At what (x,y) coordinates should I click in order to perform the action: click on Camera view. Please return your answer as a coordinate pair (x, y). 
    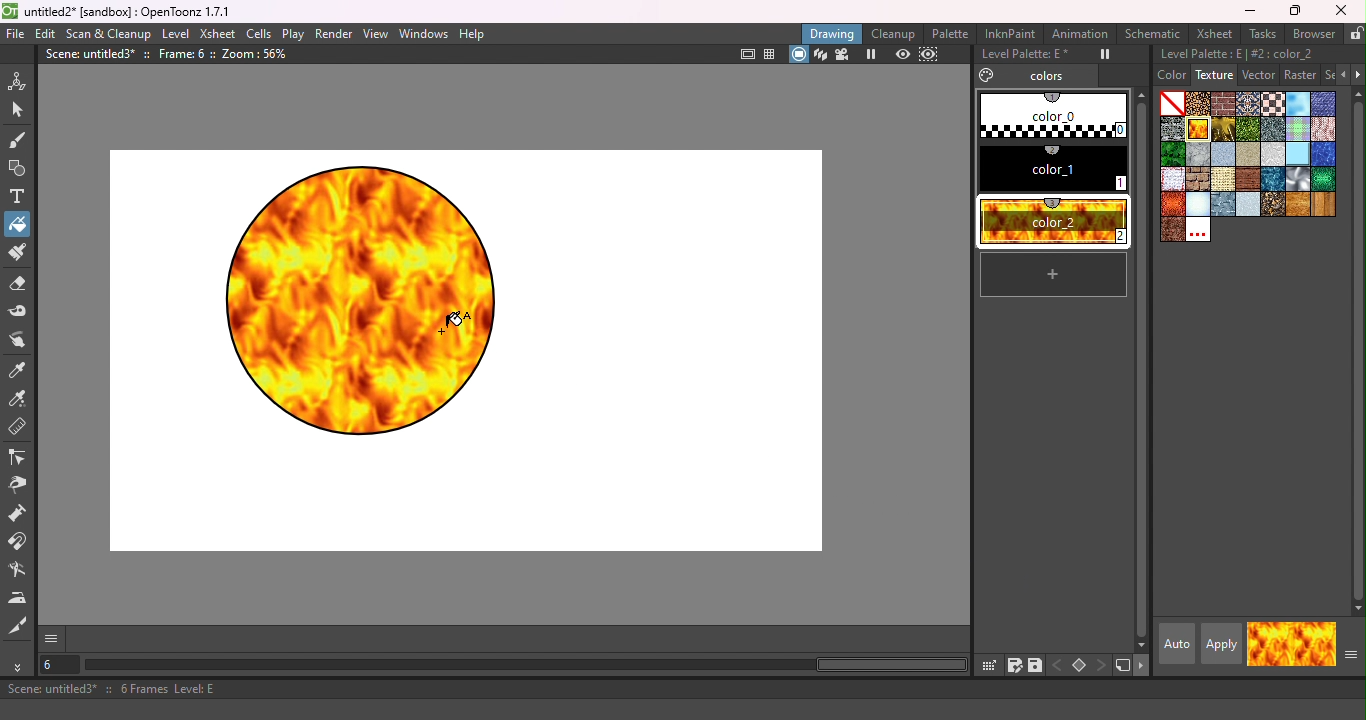
    Looking at the image, I should click on (845, 54).